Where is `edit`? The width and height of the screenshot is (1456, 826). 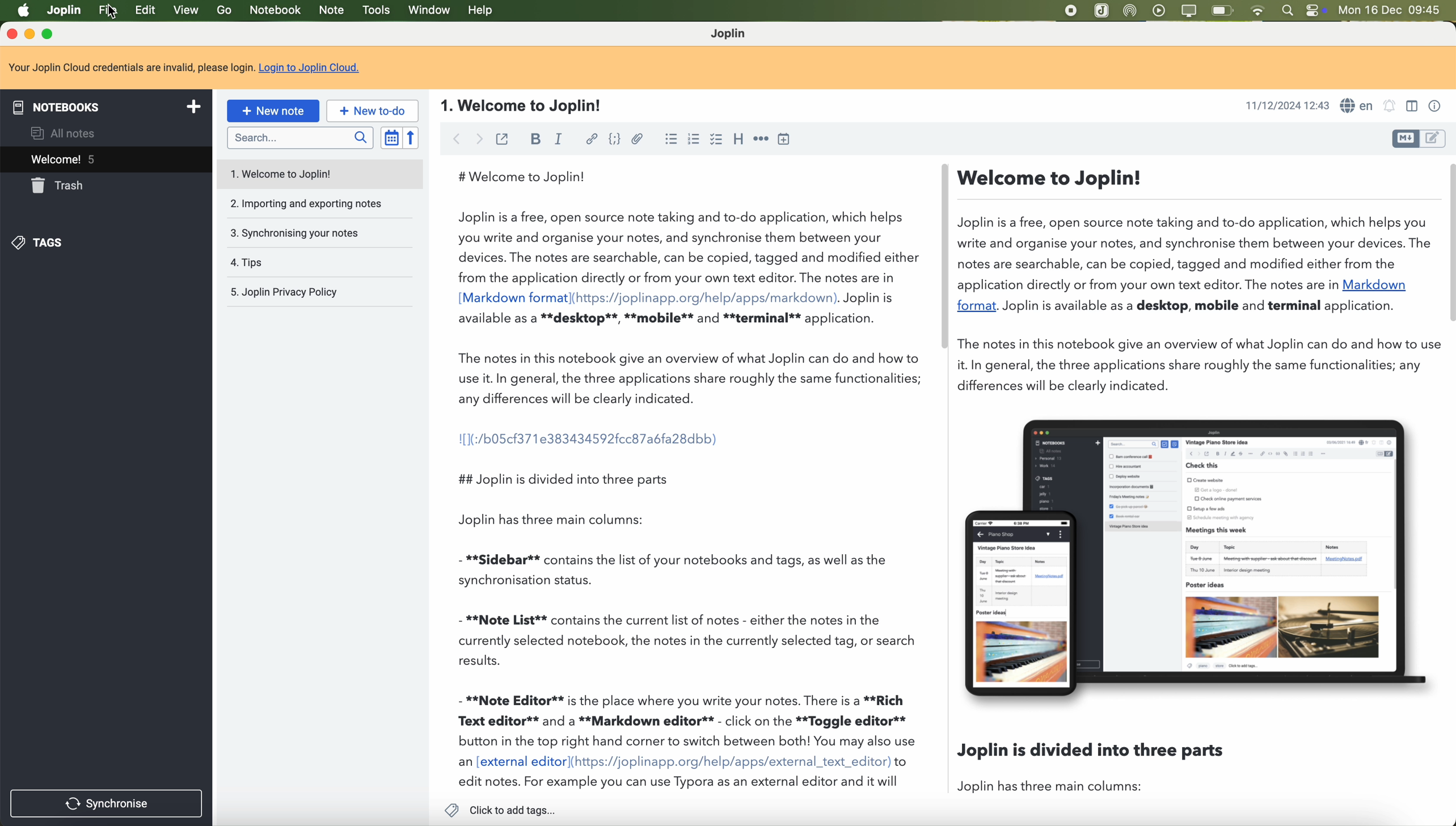 edit is located at coordinates (147, 11).